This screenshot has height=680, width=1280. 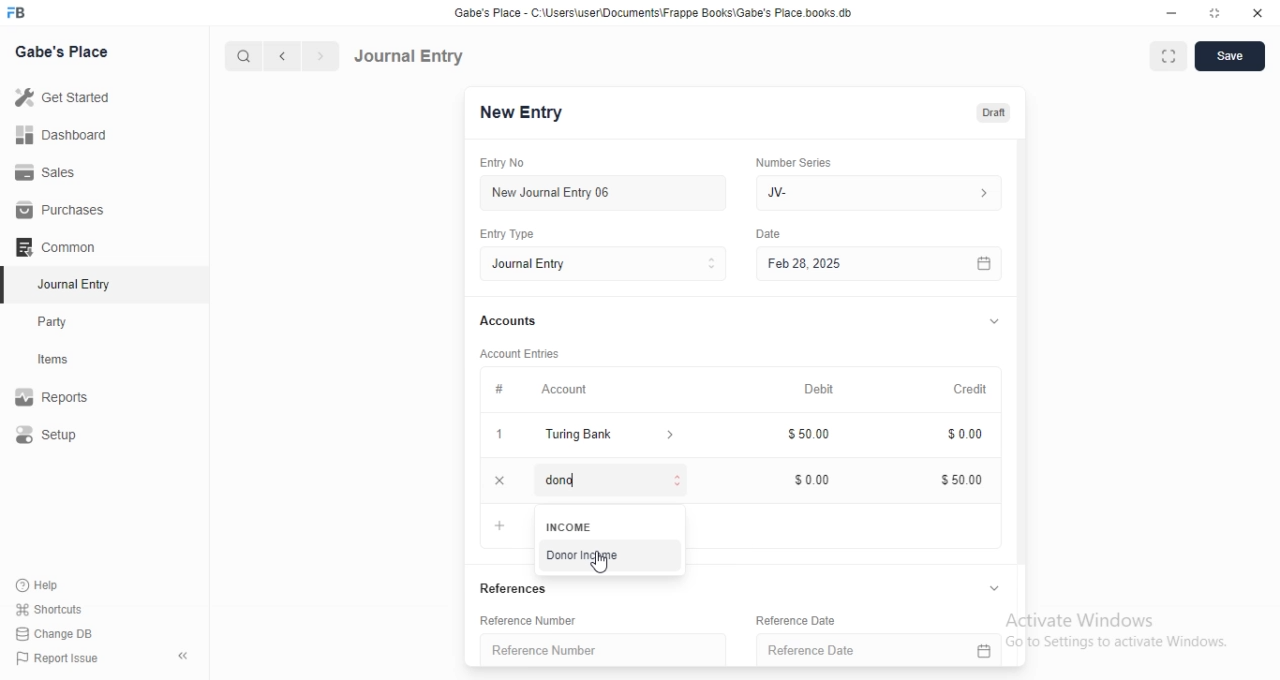 What do you see at coordinates (279, 56) in the screenshot?
I see `previous` at bounding box center [279, 56].